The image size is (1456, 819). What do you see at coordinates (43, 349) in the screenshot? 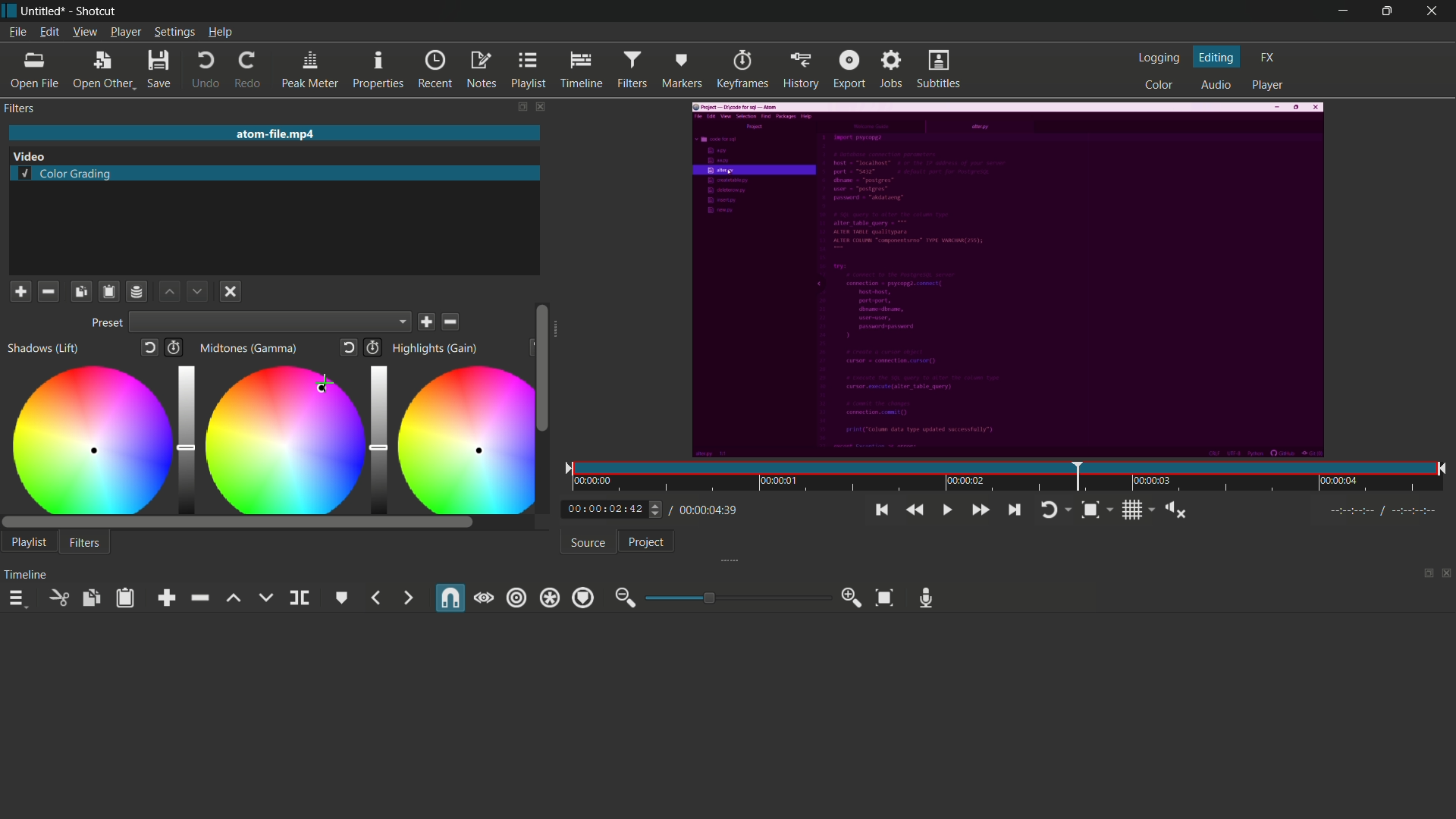
I see `shadow (lift)` at bounding box center [43, 349].